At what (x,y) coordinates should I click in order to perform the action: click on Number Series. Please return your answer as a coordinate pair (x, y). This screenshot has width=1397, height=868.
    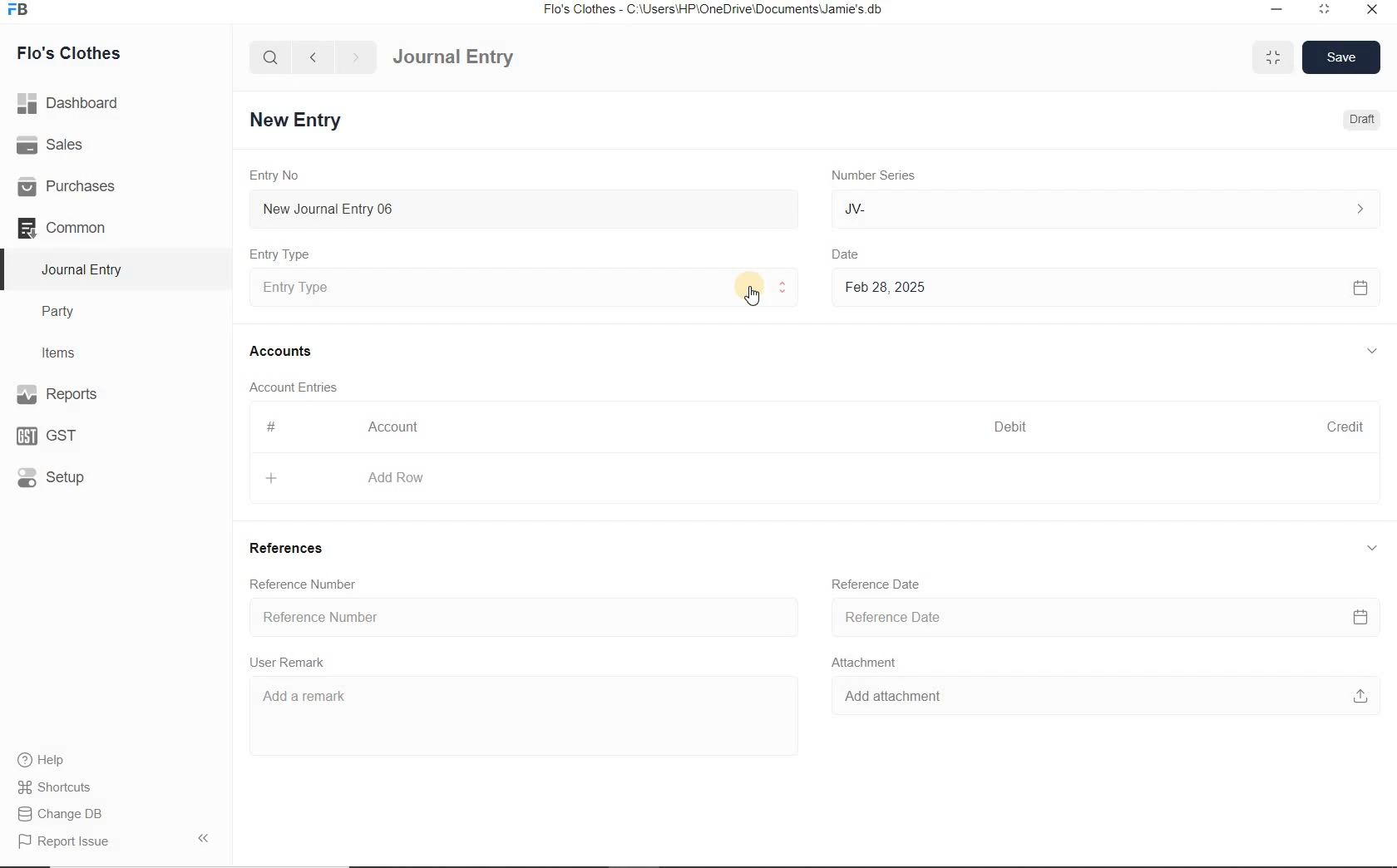
    Looking at the image, I should click on (871, 175).